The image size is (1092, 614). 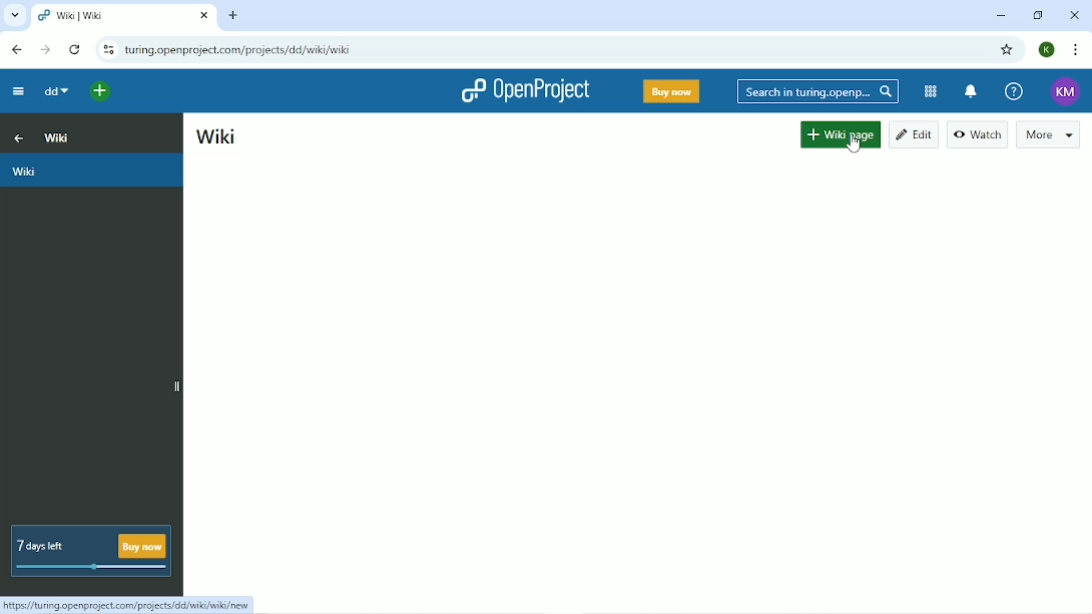 What do you see at coordinates (525, 90) in the screenshot?
I see `OpenProject` at bounding box center [525, 90].